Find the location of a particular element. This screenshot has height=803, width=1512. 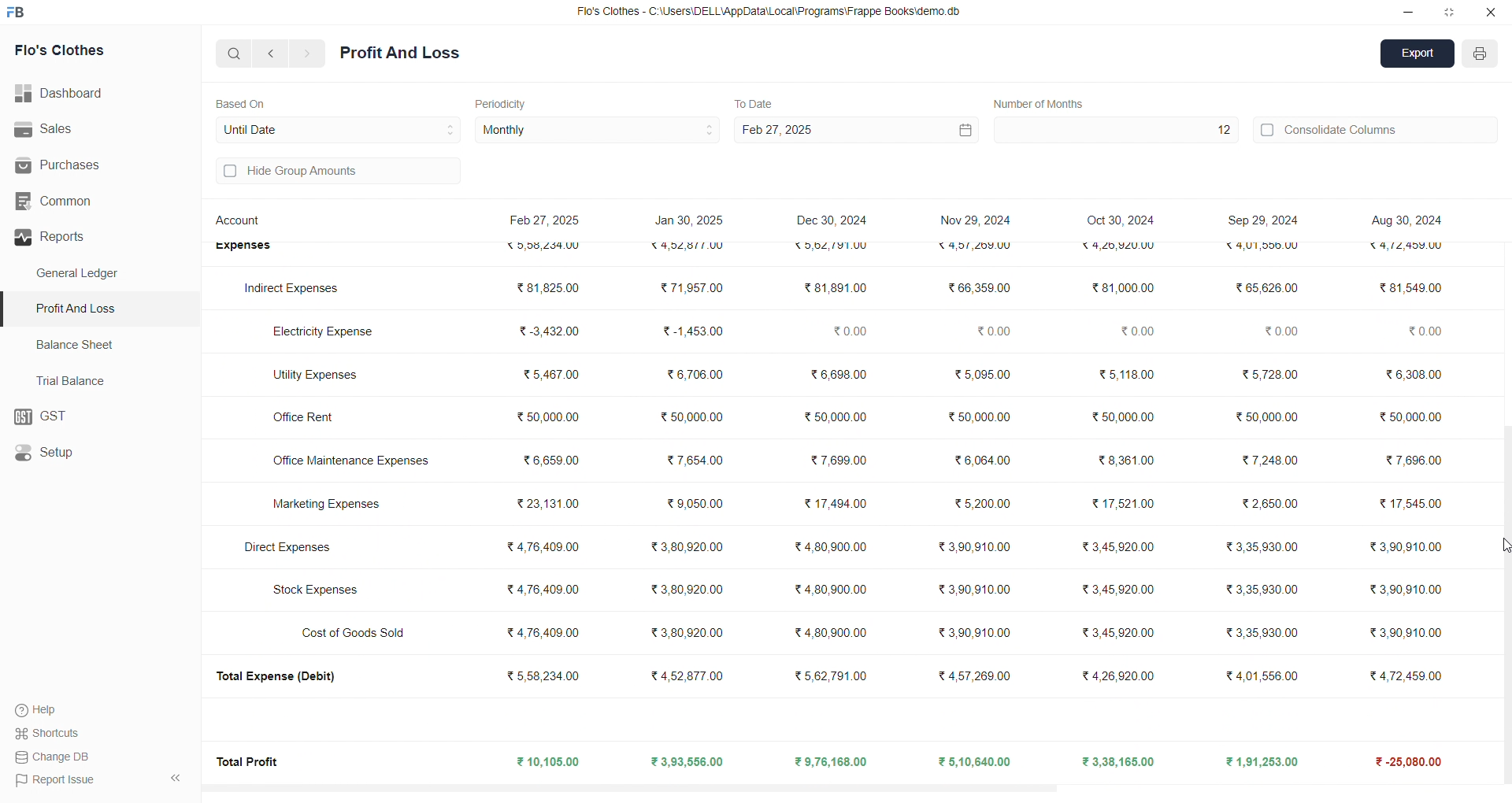

₹4,26,920.00 is located at coordinates (1116, 246).